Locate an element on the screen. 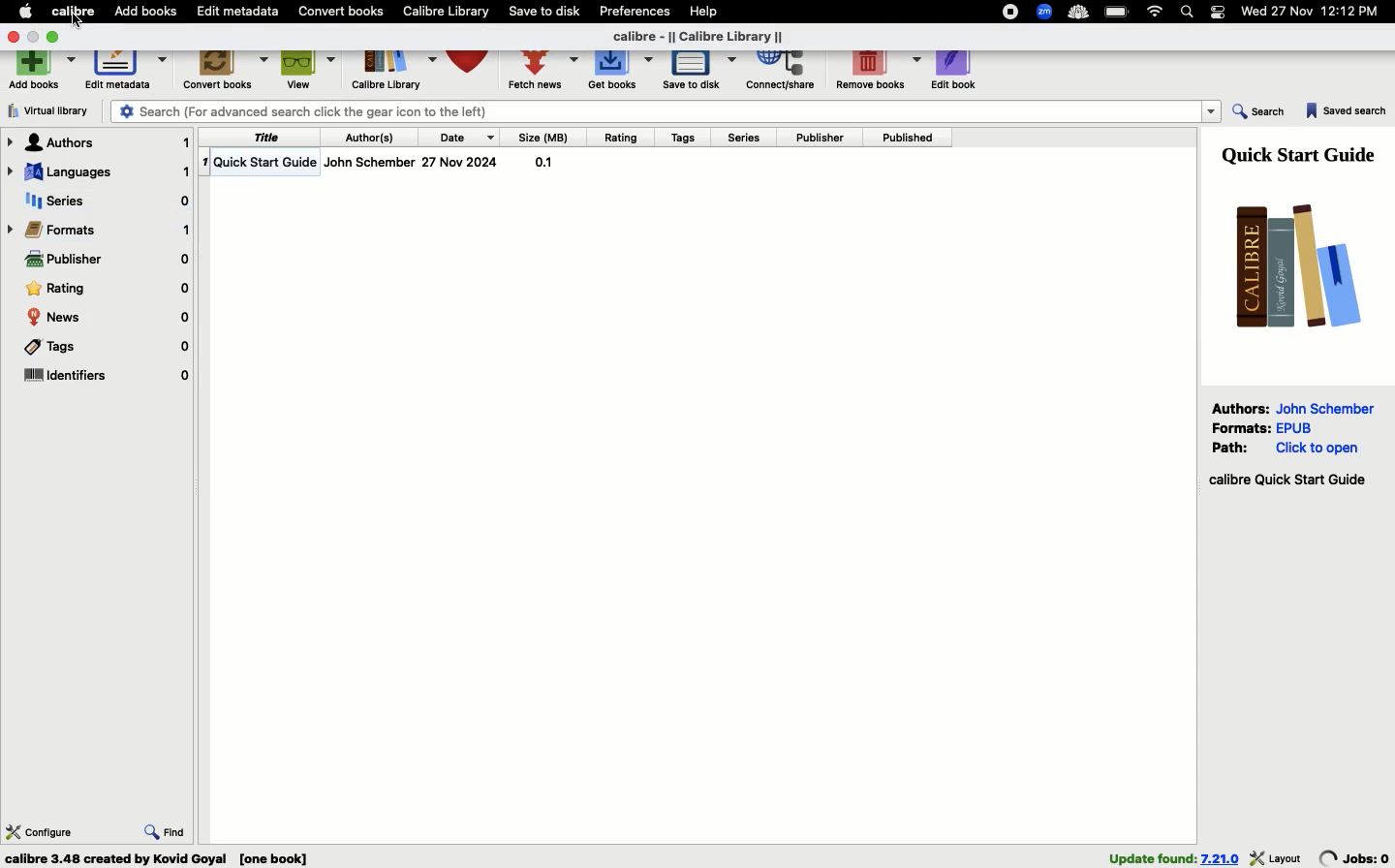 The height and width of the screenshot is (868, 1395). cursor is located at coordinates (77, 23).